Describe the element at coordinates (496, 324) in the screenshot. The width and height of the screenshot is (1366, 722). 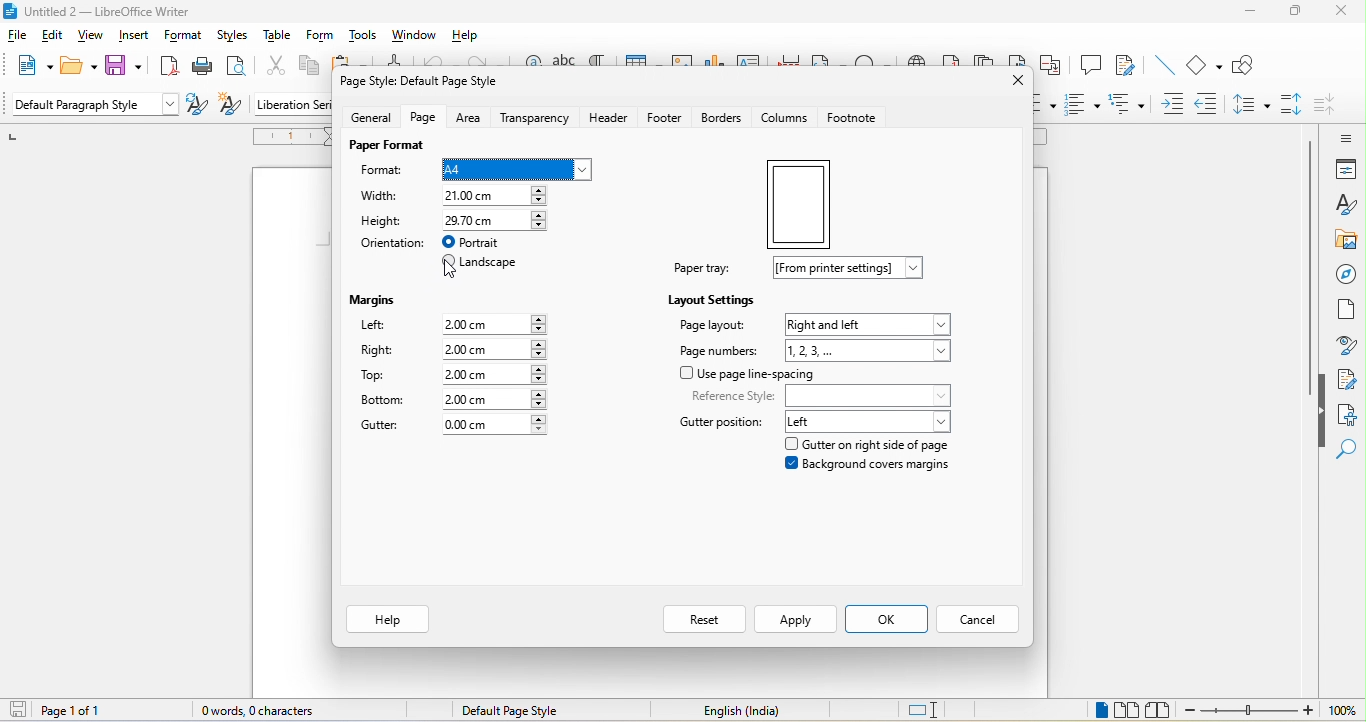
I see `2.00 cm` at that location.